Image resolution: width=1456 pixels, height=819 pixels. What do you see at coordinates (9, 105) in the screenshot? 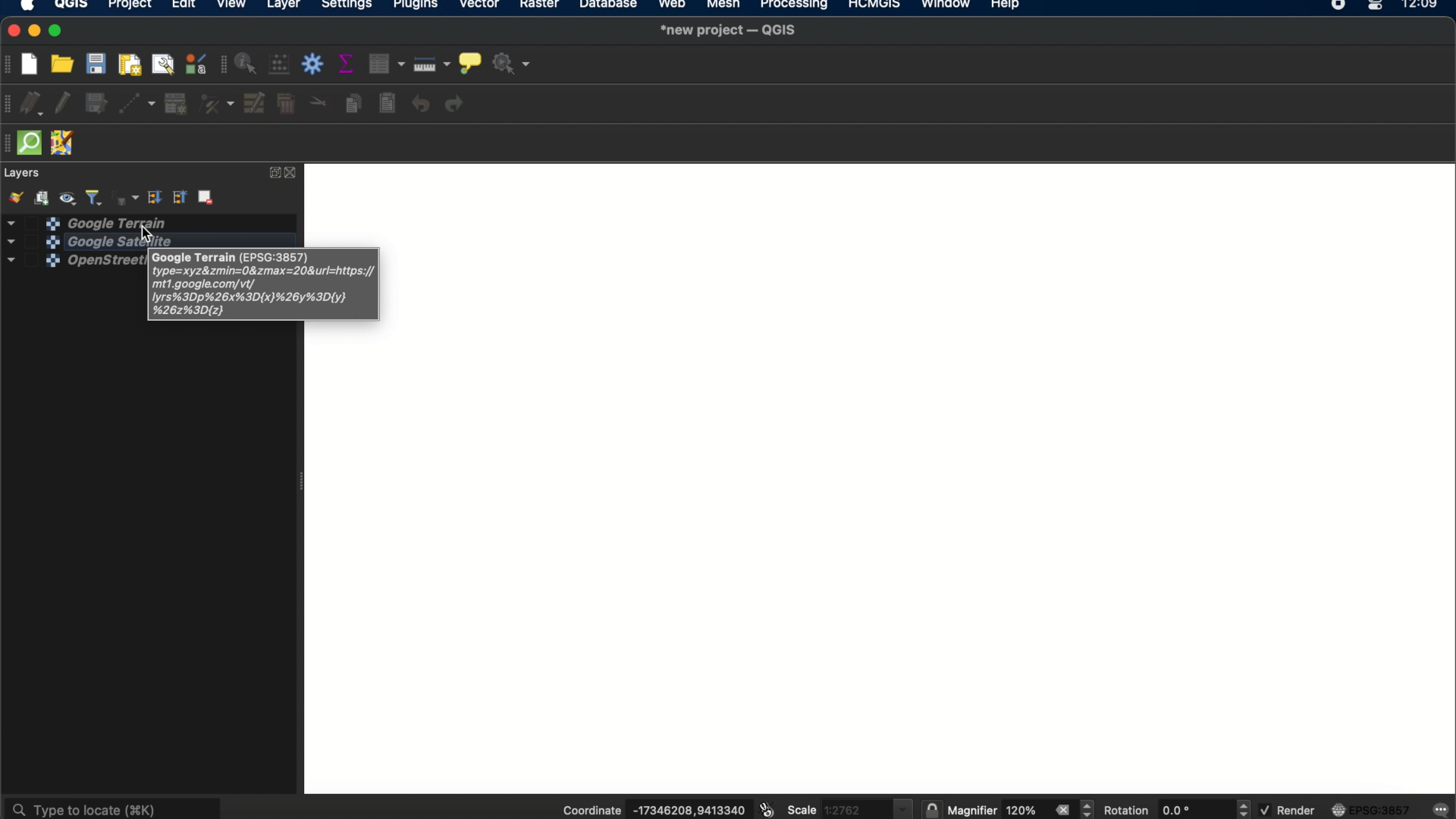
I see `digitizing toolbar` at bounding box center [9, 105].